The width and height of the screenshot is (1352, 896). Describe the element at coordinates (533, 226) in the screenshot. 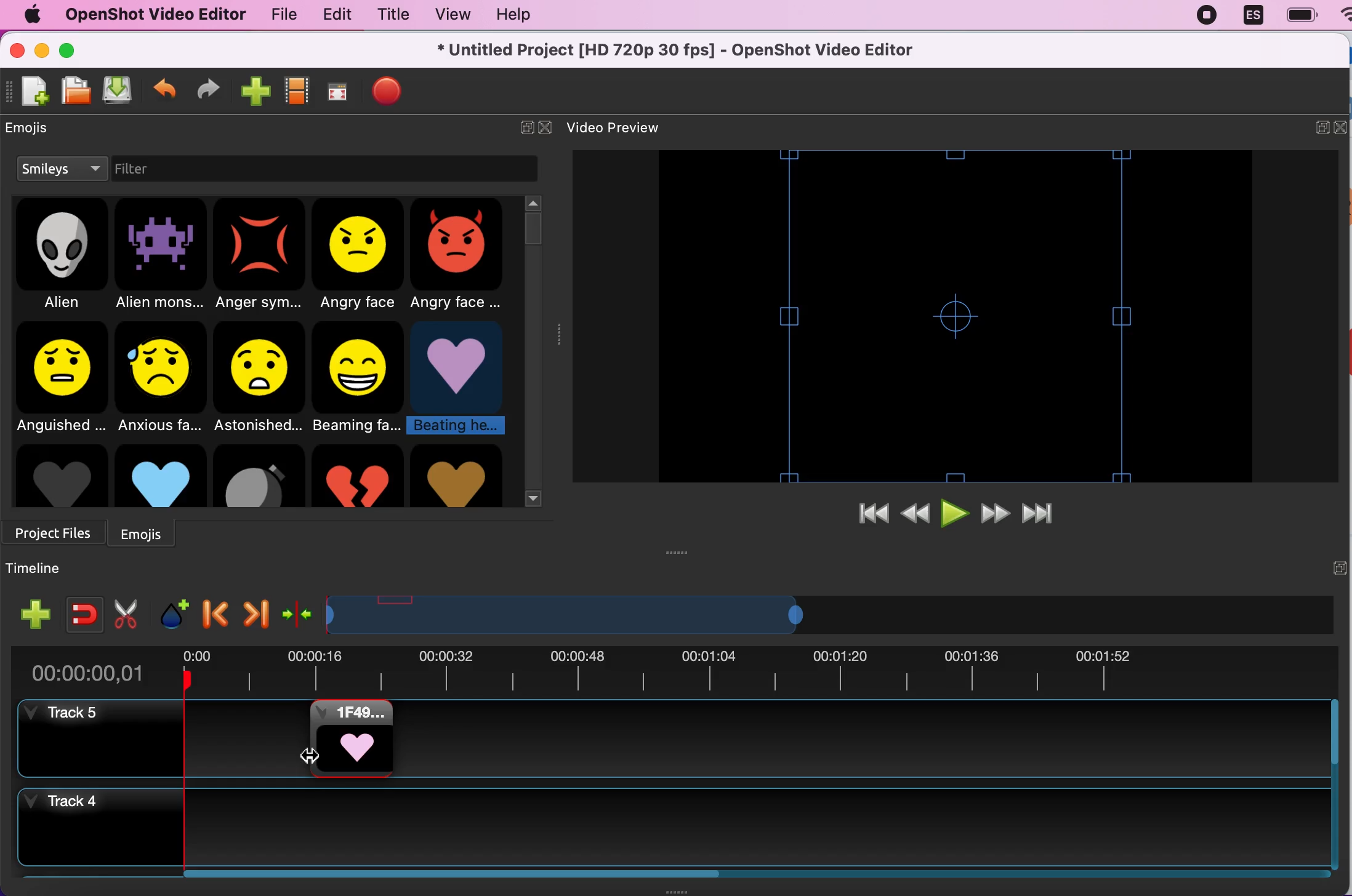

I see `vertical slider` at that location.